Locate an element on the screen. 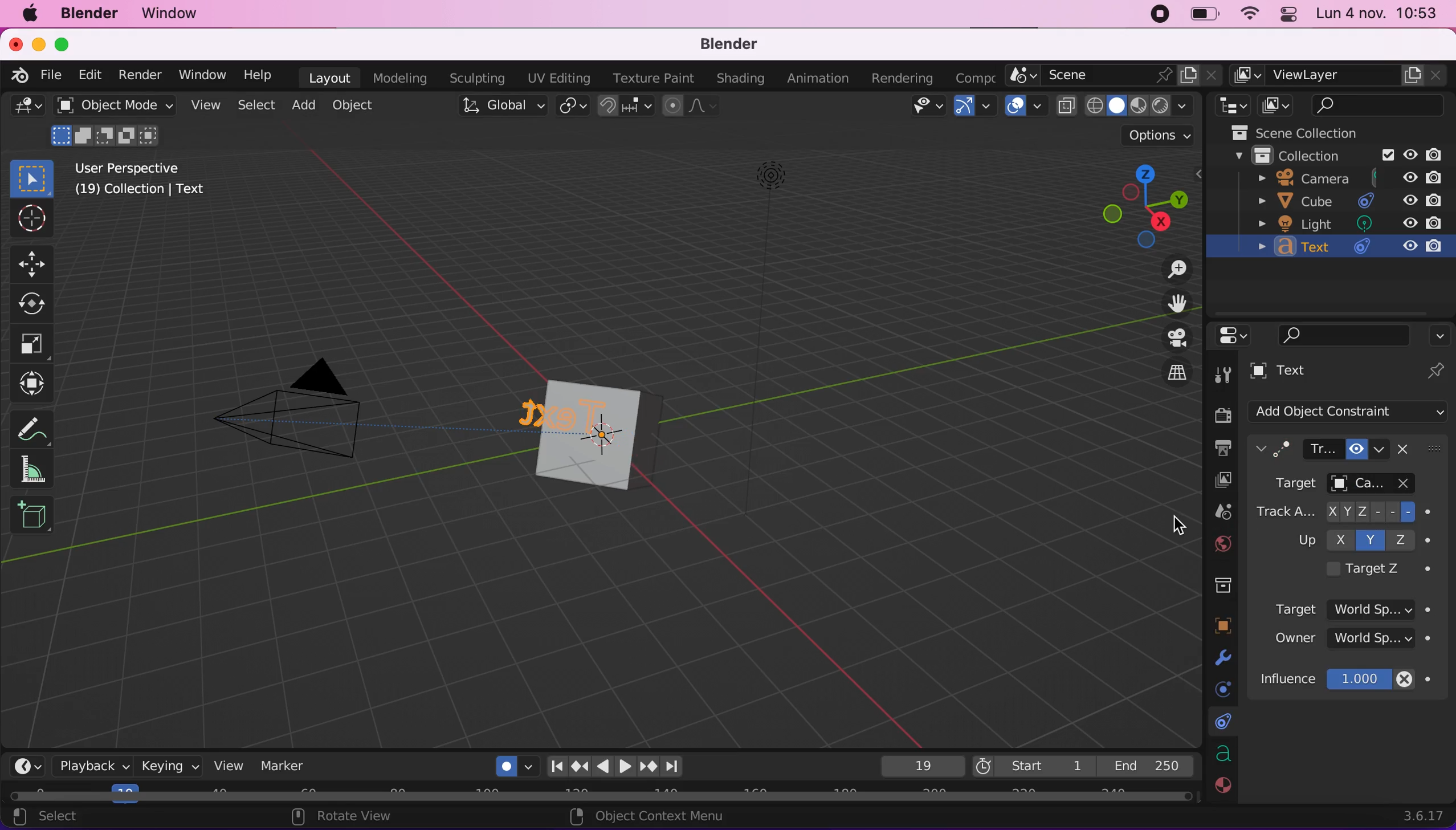  blender is located at coordinates (96, 15).